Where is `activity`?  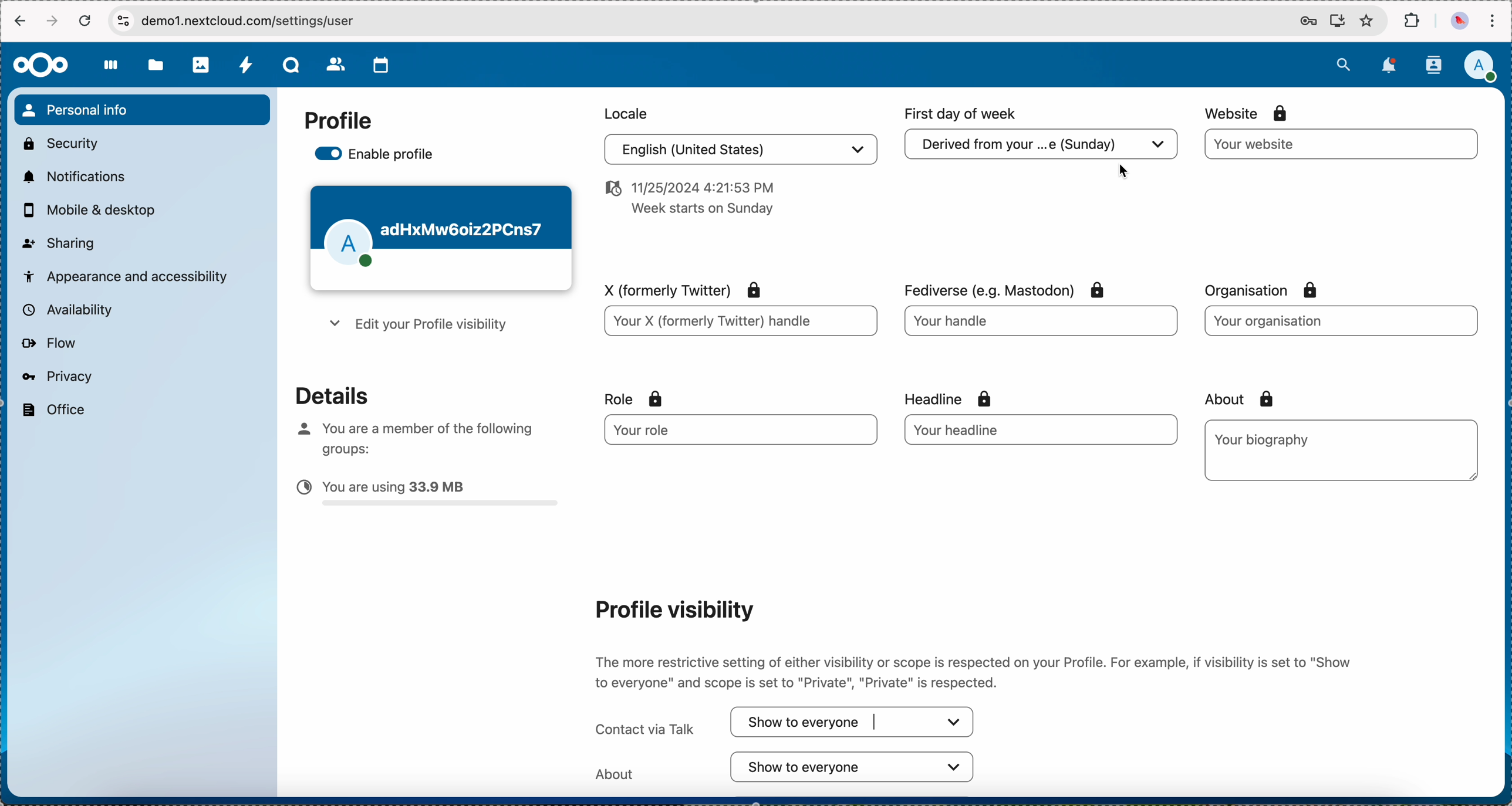 activity is located at coordinates (247, 66).